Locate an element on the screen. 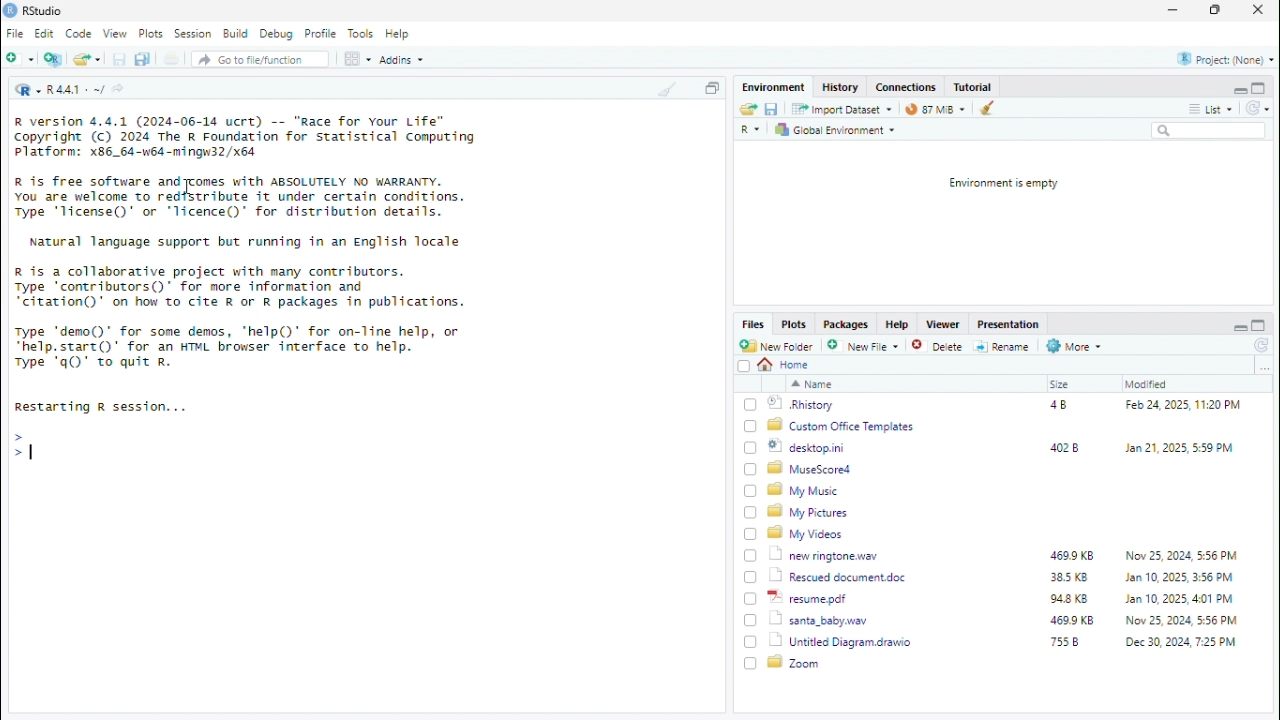 Image resolution: width=1280 pixels, height=720 pixels. code view is located at coordinates (359, 58).